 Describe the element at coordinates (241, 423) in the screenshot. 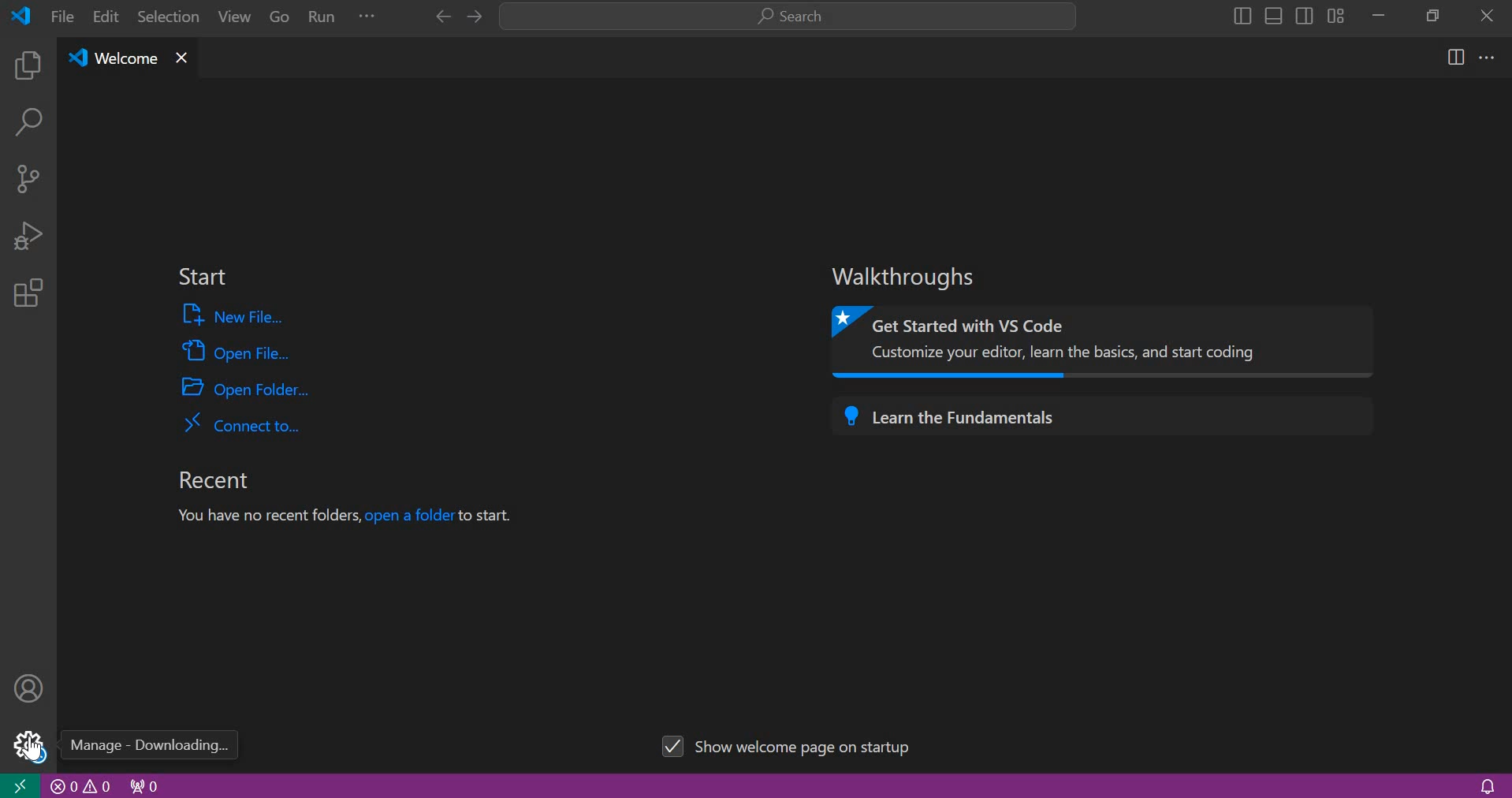

I see `connect to` at that location.